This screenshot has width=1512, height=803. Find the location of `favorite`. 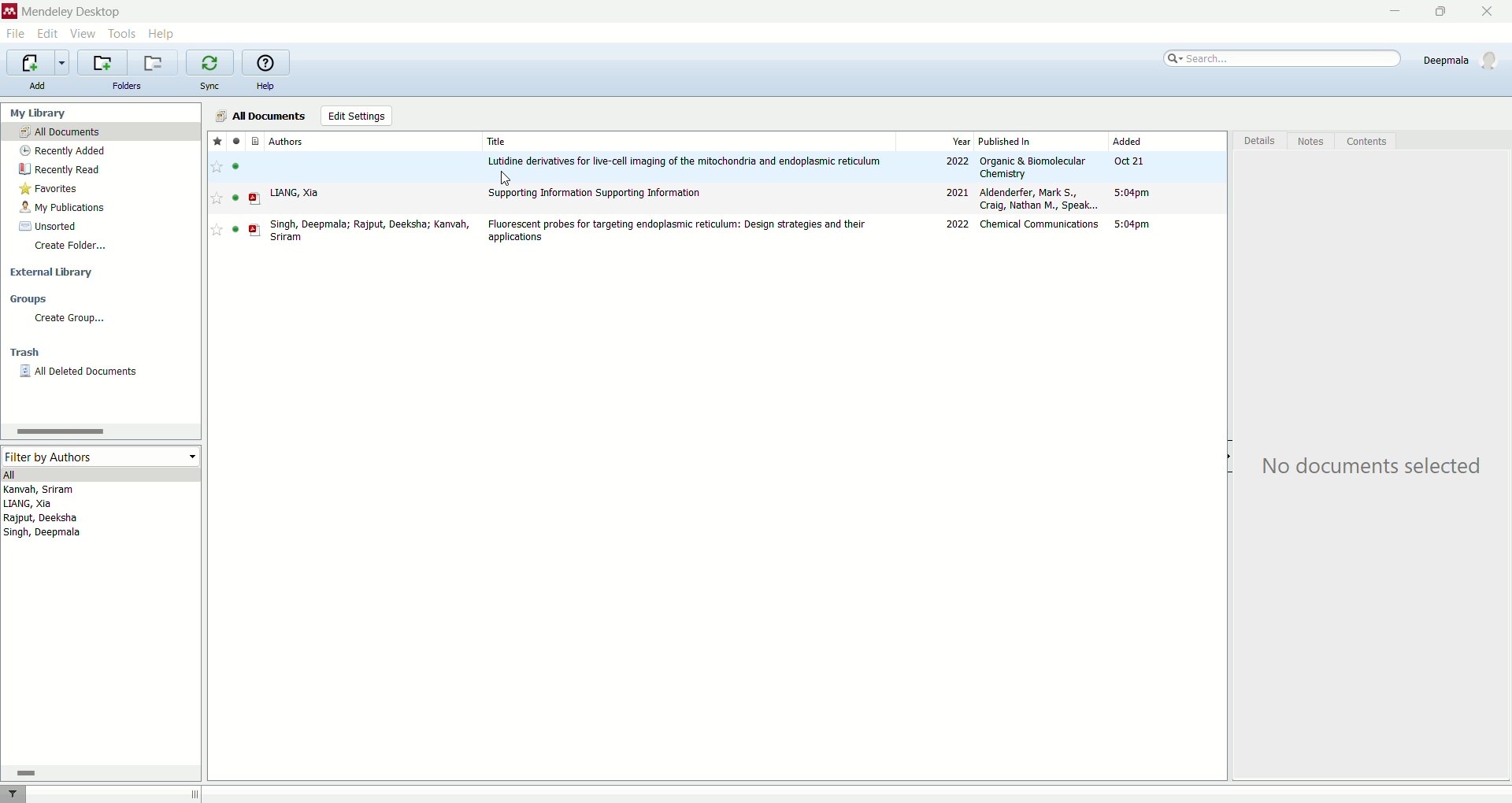

favorite is located at coordinates (214, 141).